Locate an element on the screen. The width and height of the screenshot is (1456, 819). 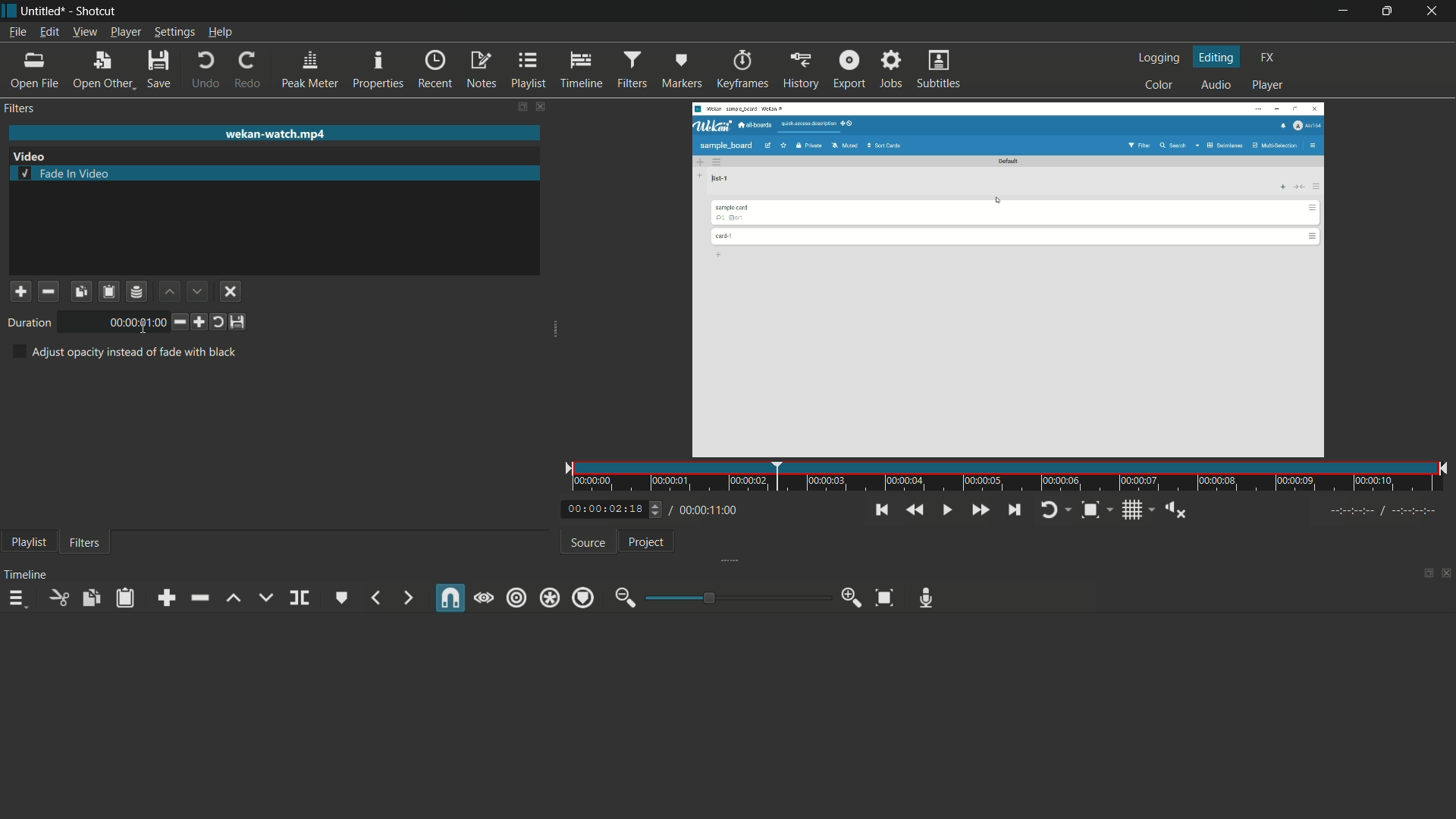
change layout is located at coordinates (1426, 572).